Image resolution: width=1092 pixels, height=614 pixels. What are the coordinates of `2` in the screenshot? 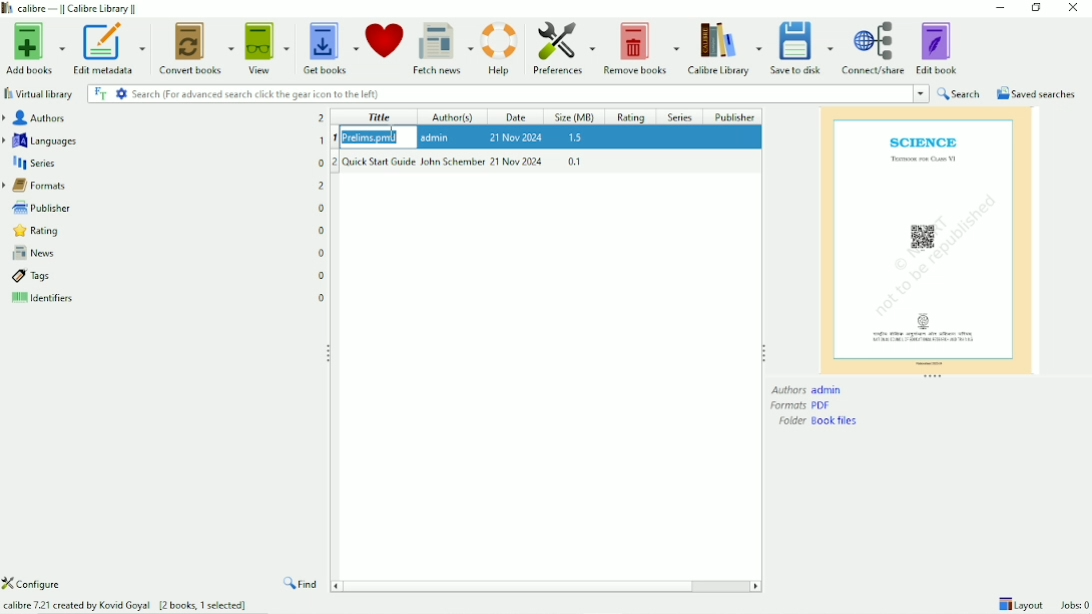 It's located at (322, 186).